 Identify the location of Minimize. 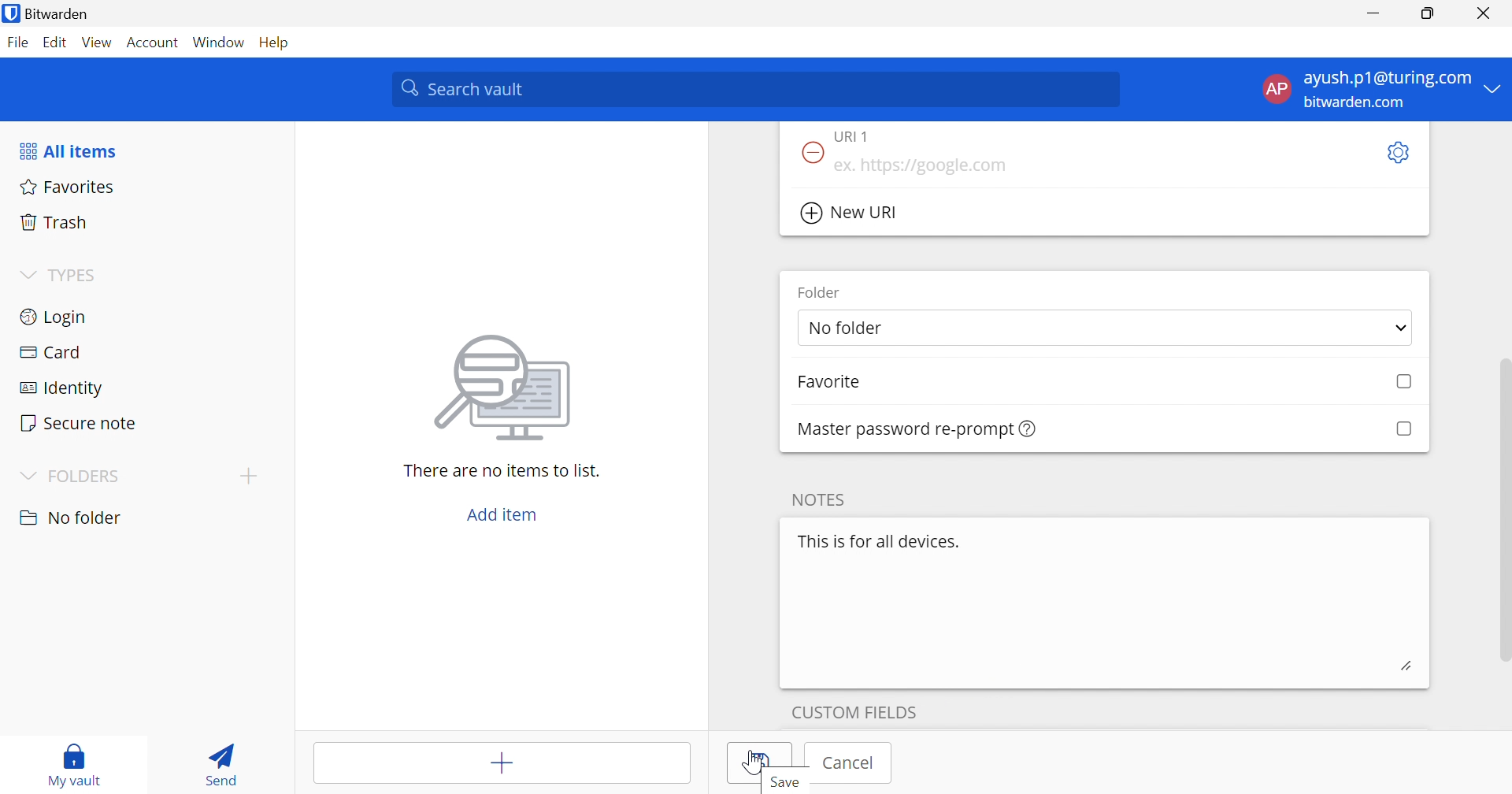
(1373, 14).